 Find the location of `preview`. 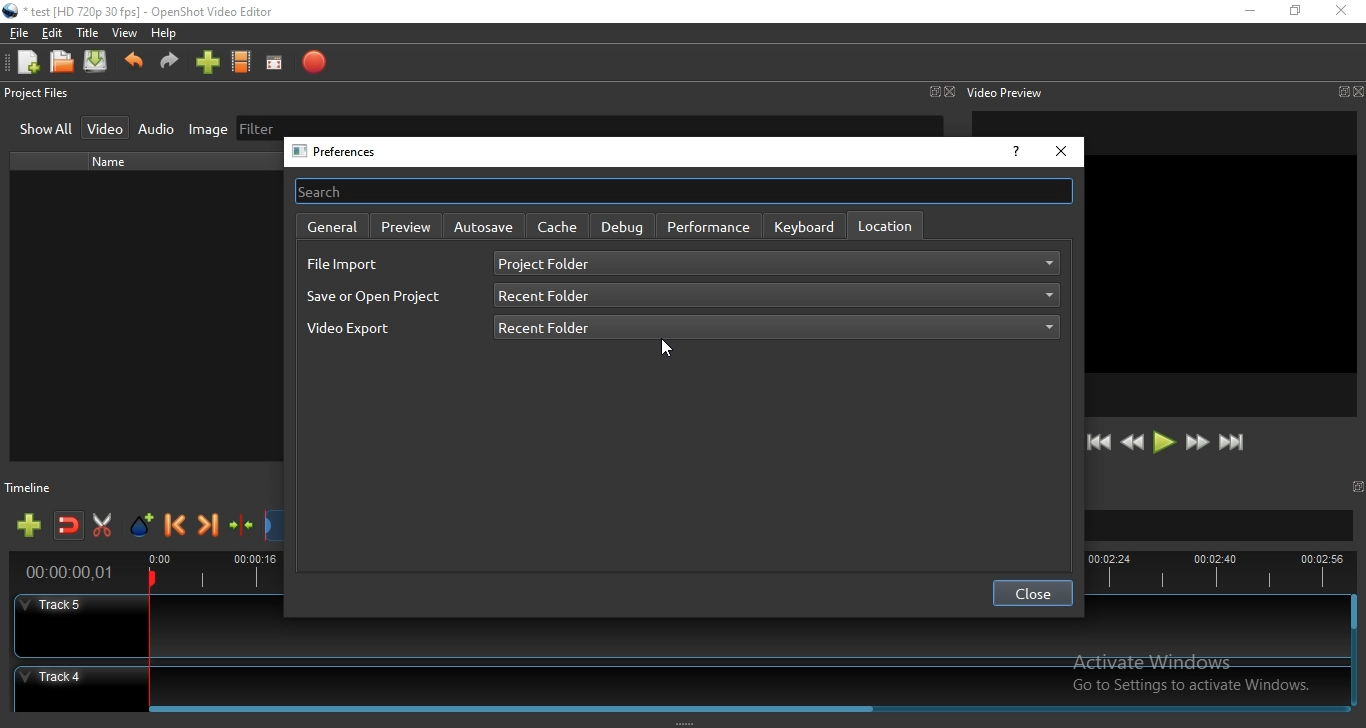

preview is located at coordinates (406, 225).